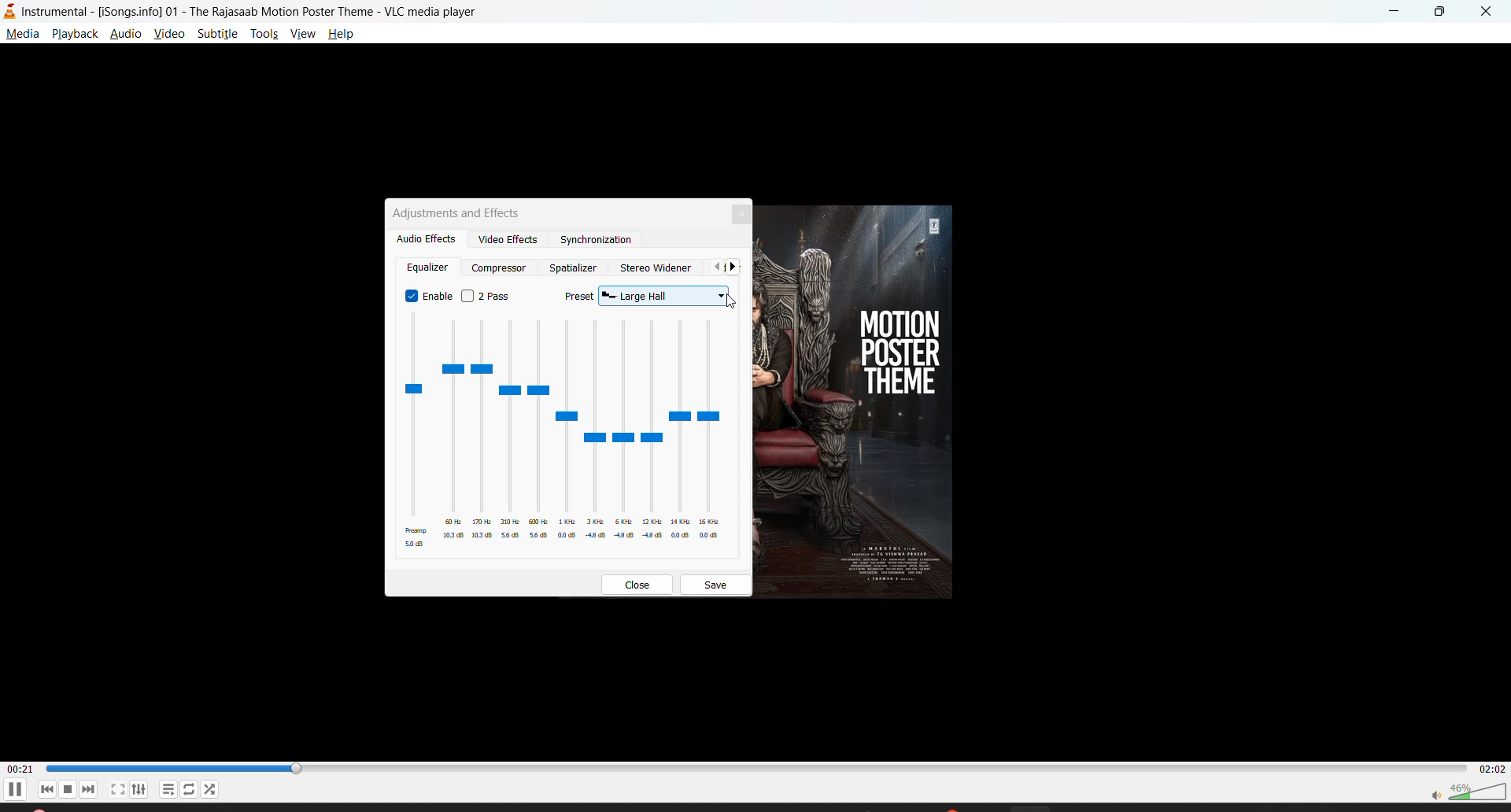 The height and width of the screenshot is (812, 1511). Describe the element at coordinates (498, 268) in the screenshot. I see `compressor` at that location.